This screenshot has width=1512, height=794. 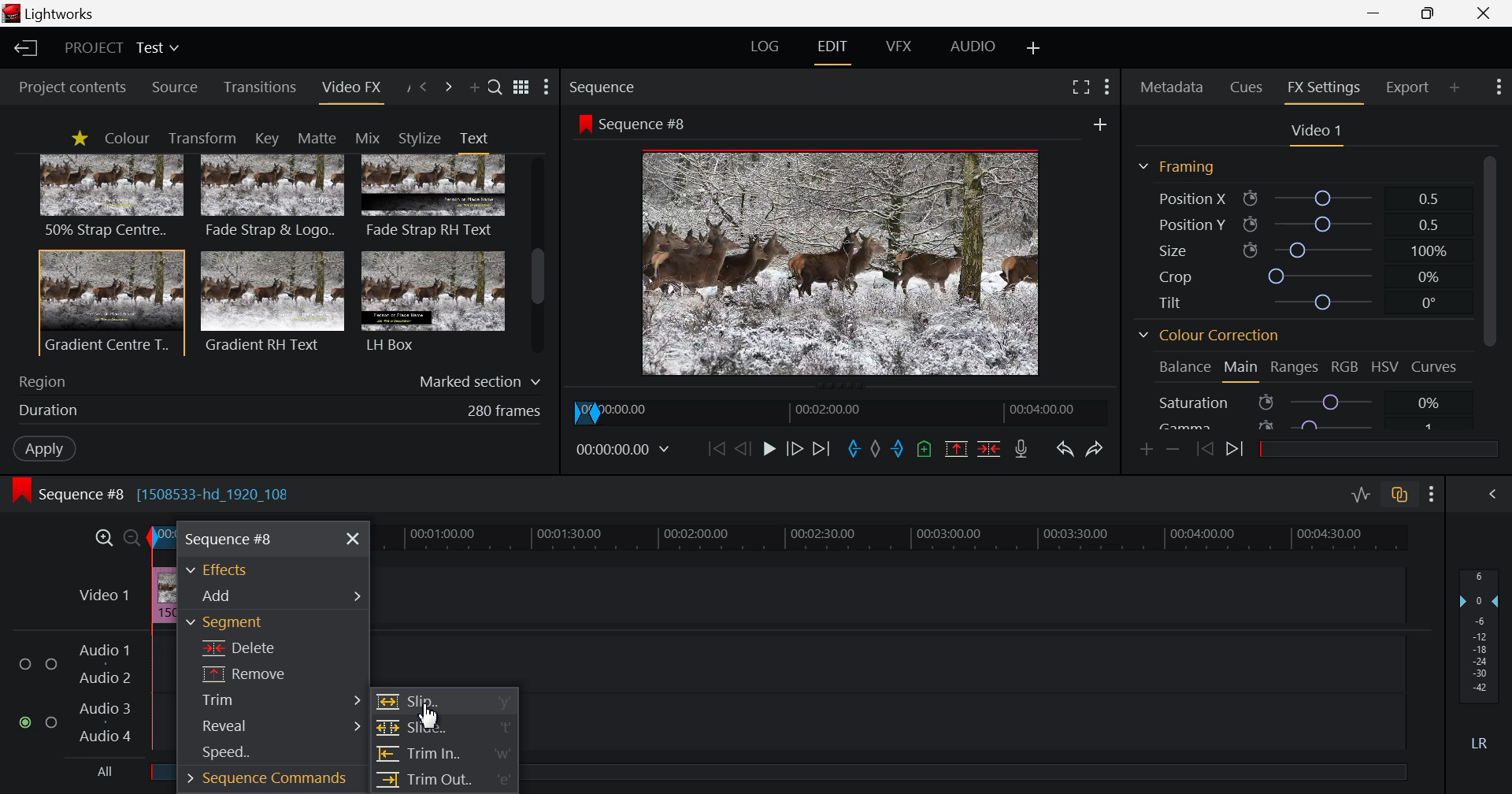 I want to click on Position Y, so click(x=1303, y=224).